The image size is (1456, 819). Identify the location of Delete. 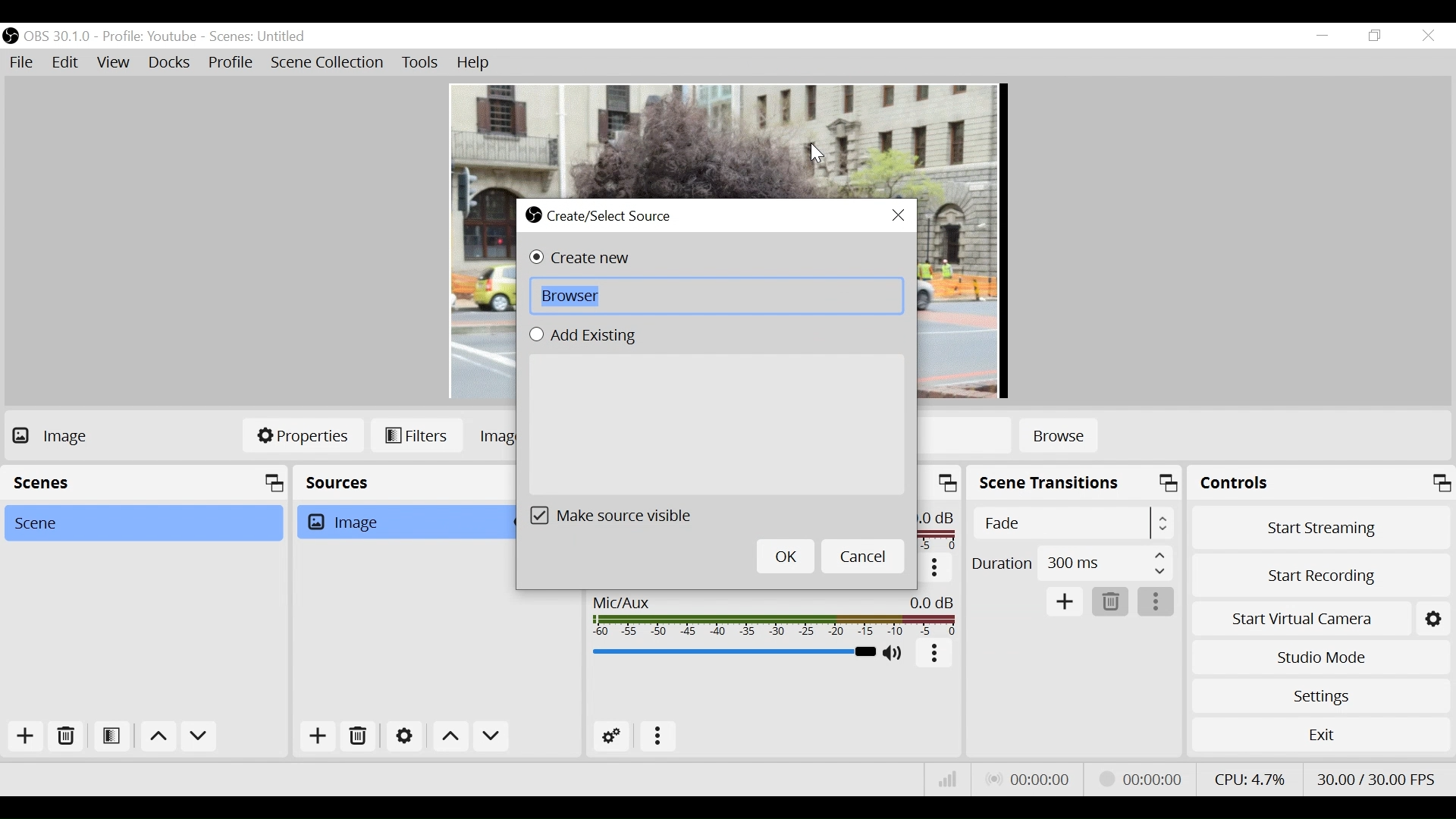
(358, 736).